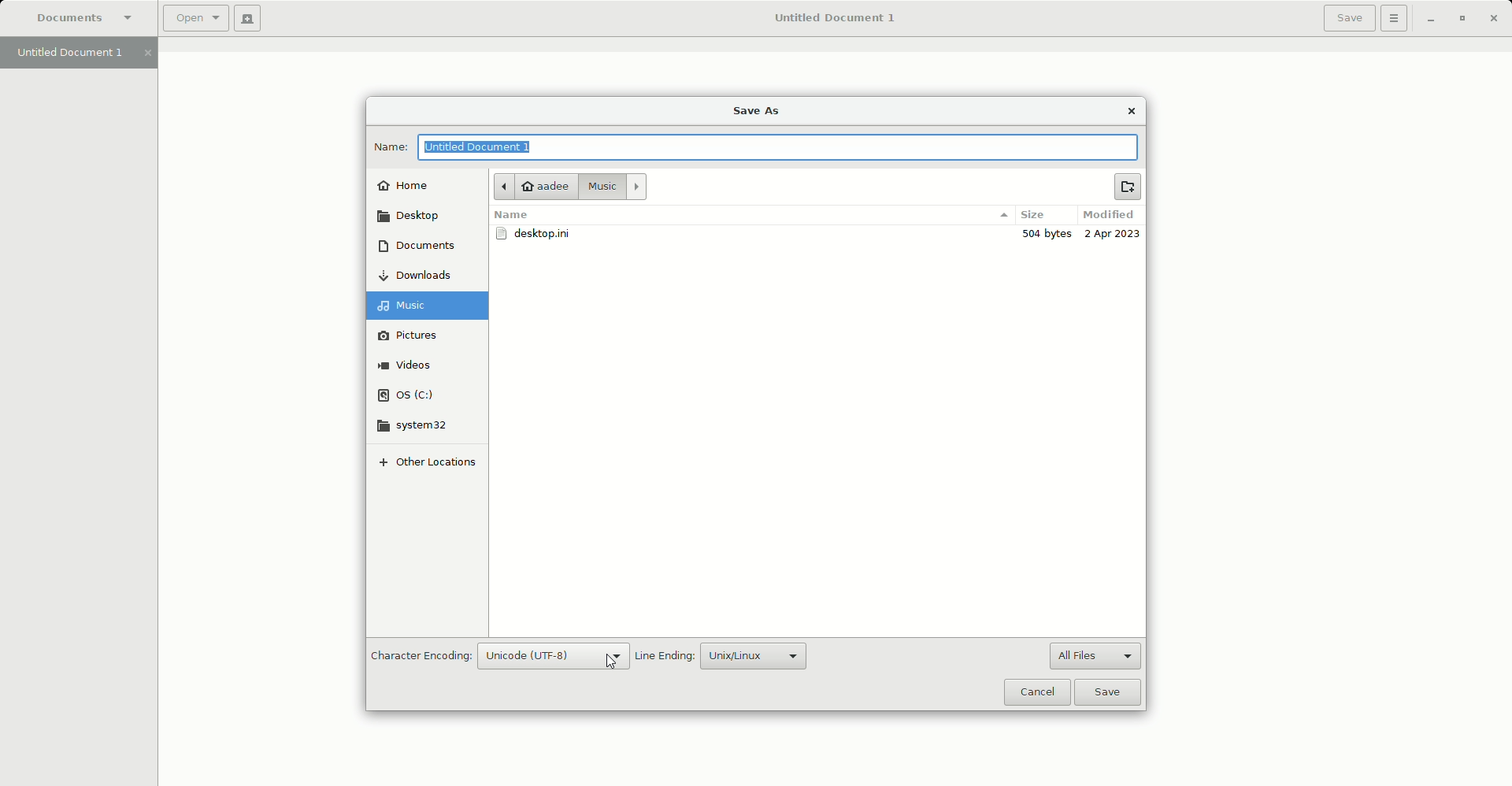  I want to click on Options, so click(1394, 18).